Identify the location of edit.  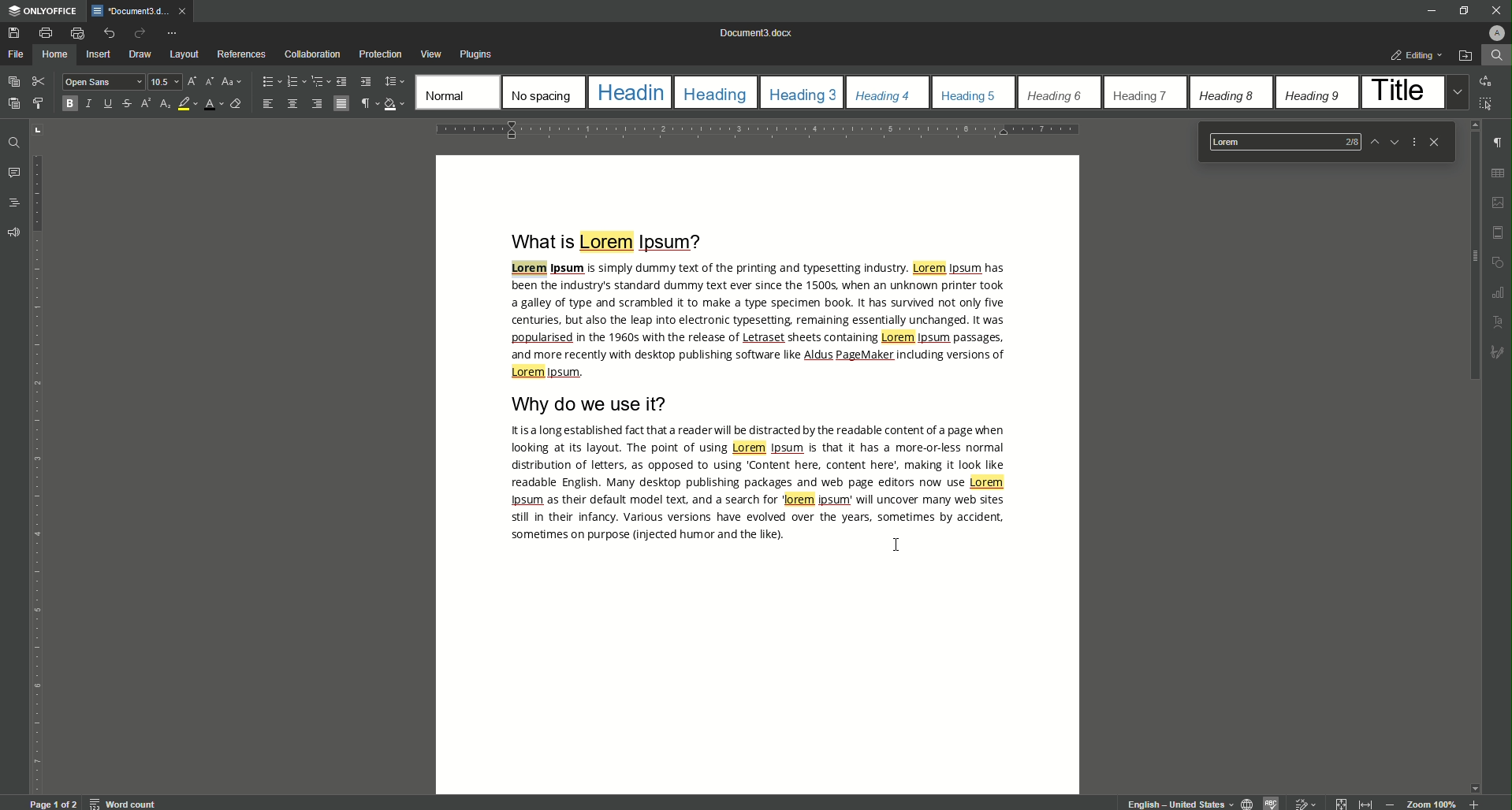
(1305, 803).